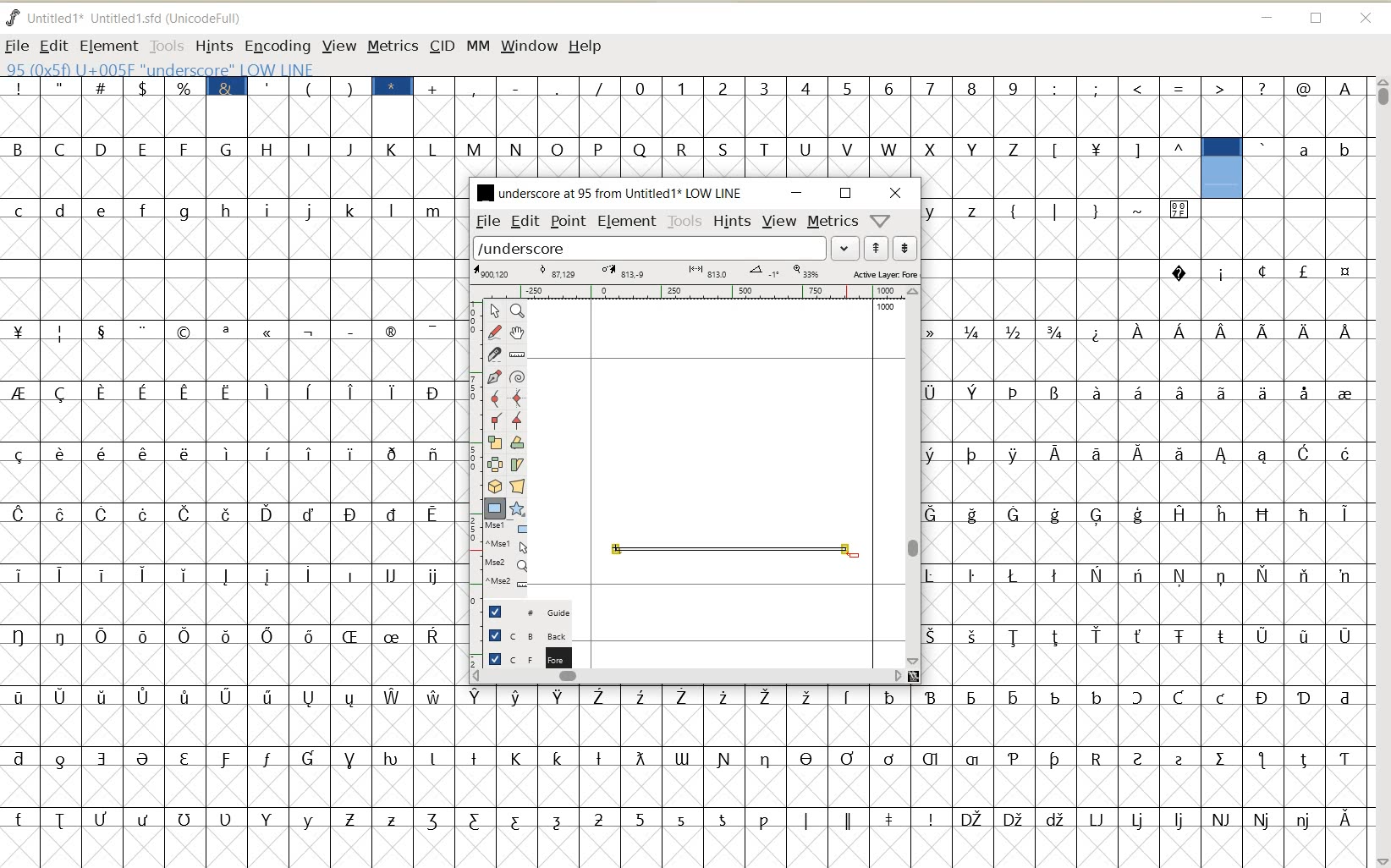 The height and width of the screenshot is (868, 1391). What do you see at coordinates (525, 610) in the screenshot?
I see `GUIDE` at bounding box center [525, 610].